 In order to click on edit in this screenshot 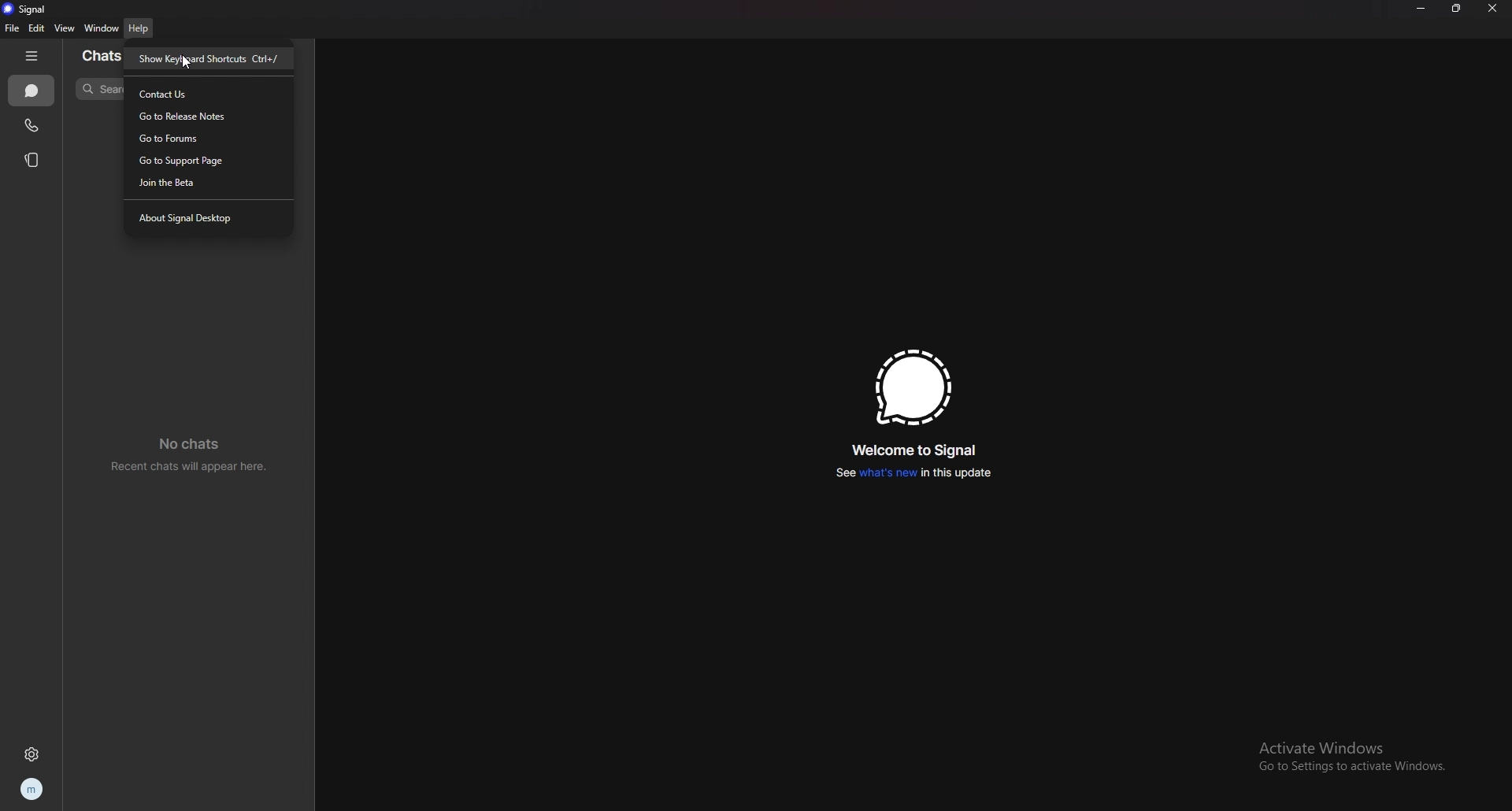, I will do `click(36, 28)`.